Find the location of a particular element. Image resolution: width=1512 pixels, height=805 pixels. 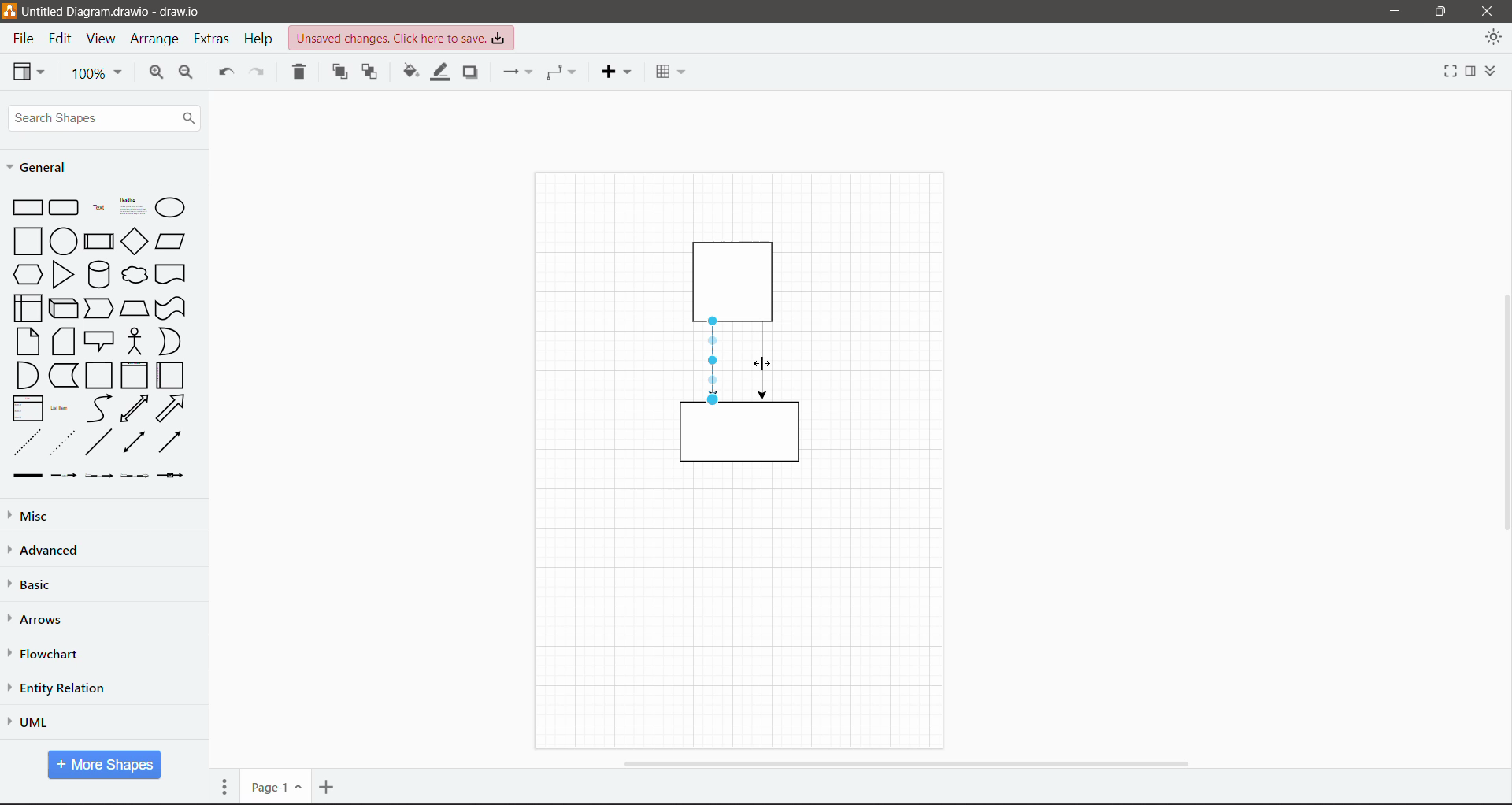

Data Storage is located at coordinates (62, 375).